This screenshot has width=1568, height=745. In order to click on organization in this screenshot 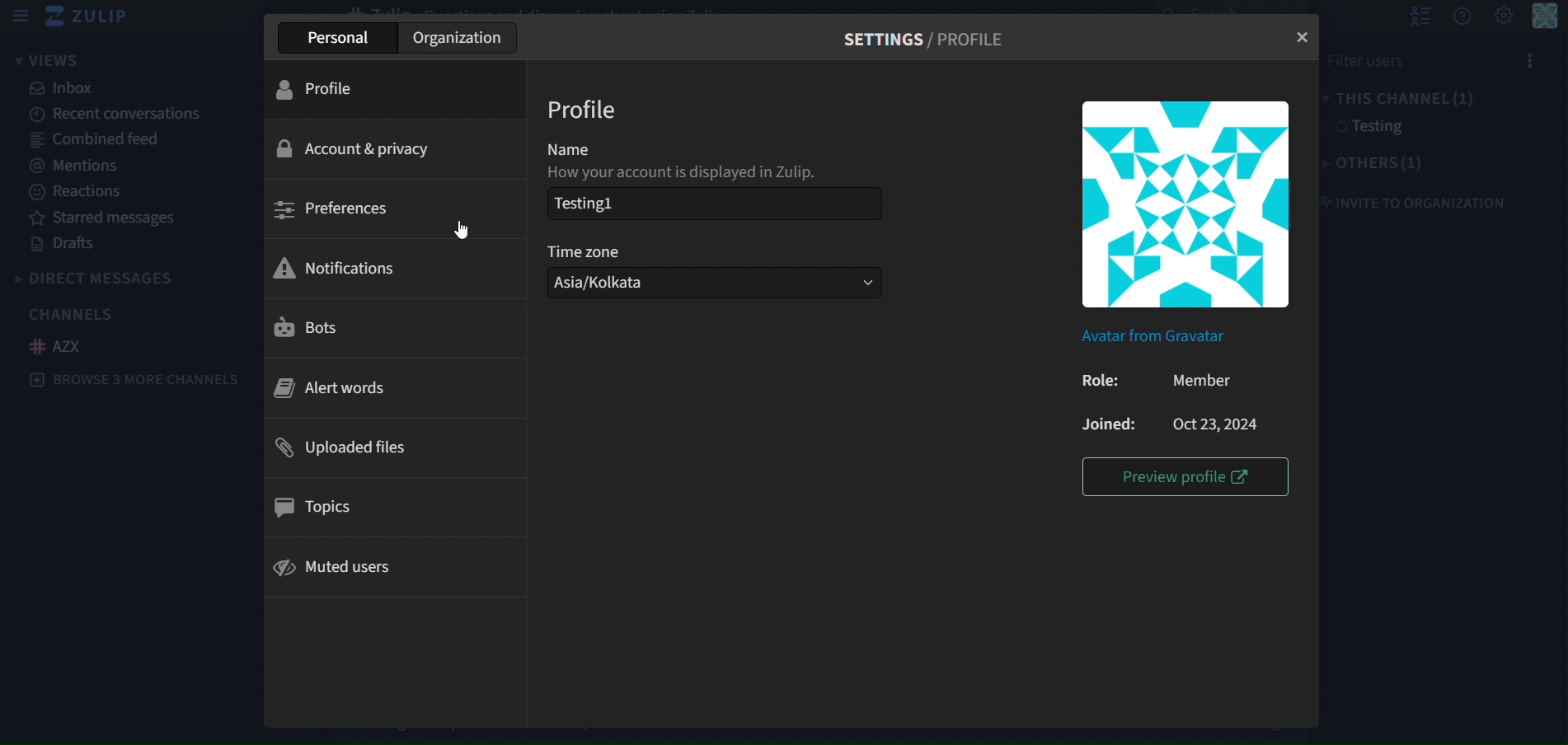, I will do `click(462, 40)`.